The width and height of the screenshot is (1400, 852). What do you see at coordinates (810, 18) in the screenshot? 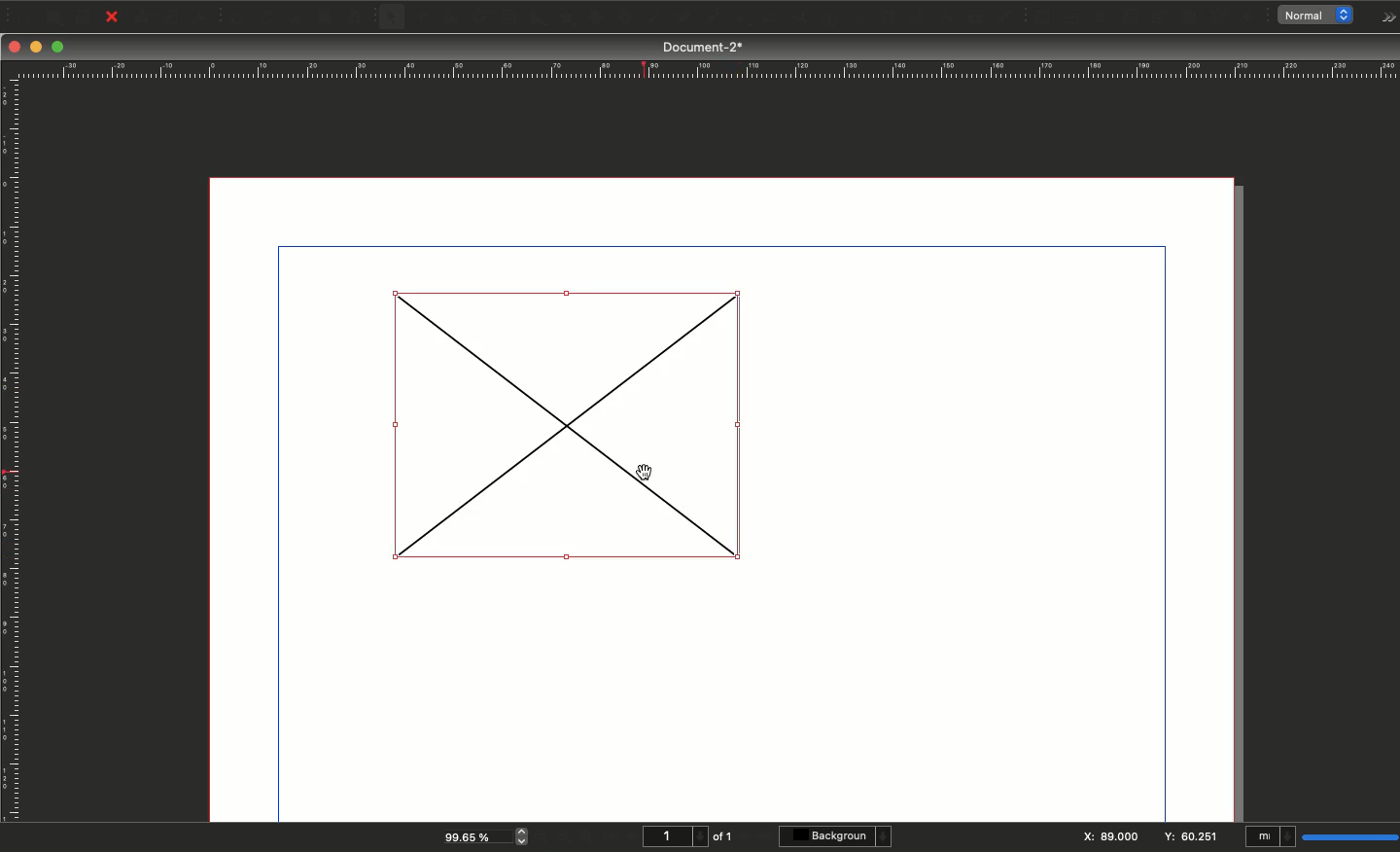
I see `Edit contents of frame` at bounding box center [810, 18].